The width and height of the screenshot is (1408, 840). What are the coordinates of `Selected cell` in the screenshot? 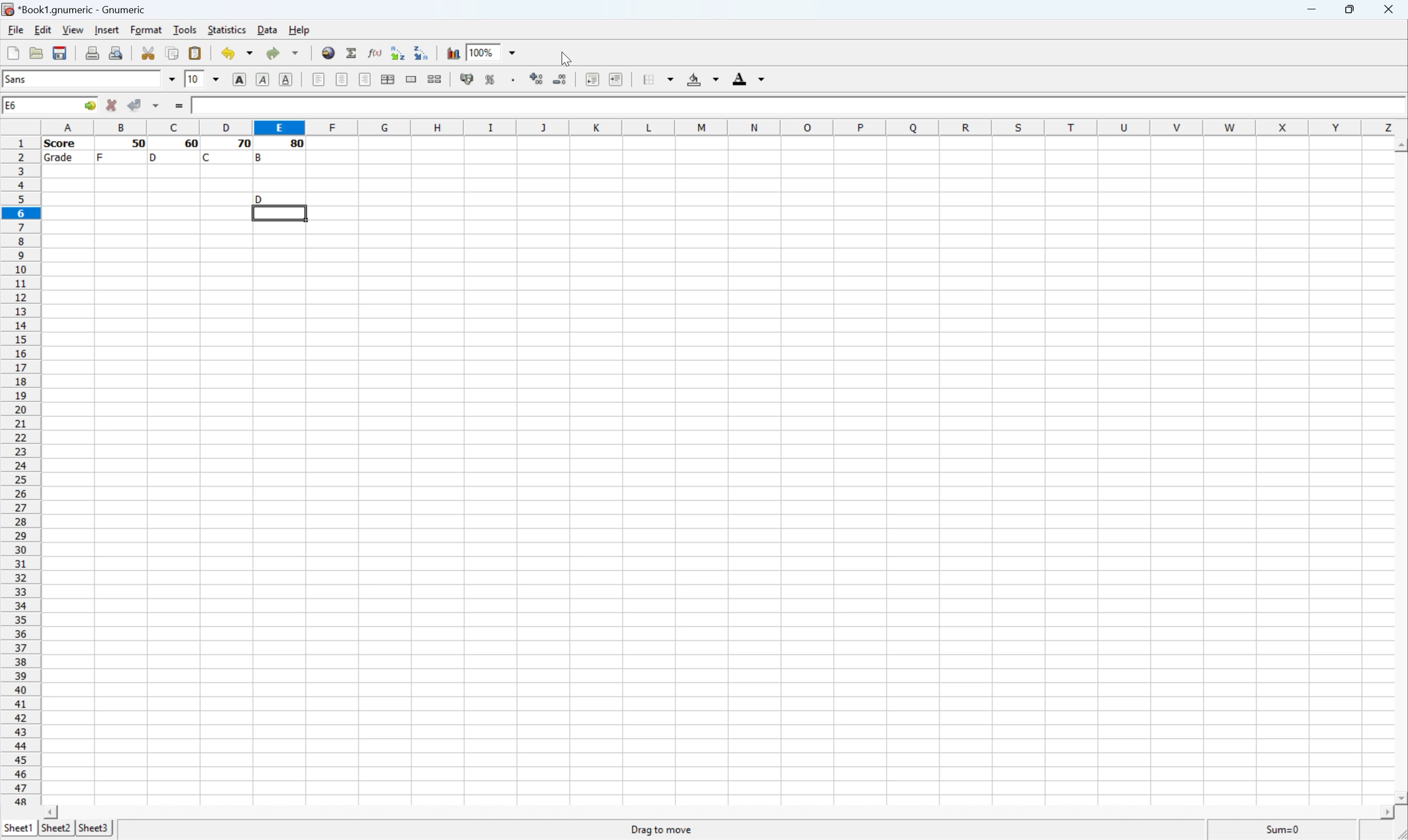 It's located at (280, 214).